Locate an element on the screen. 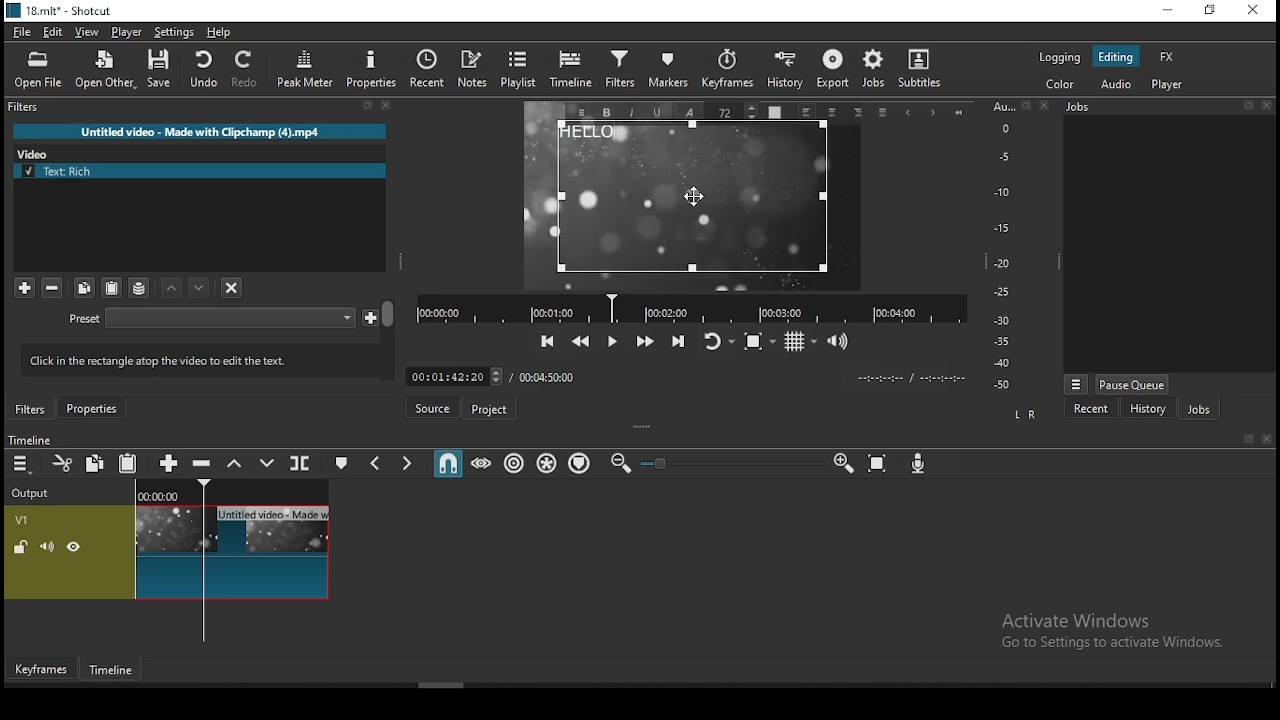  zoom timeline in is located at coordinates (842, 462).